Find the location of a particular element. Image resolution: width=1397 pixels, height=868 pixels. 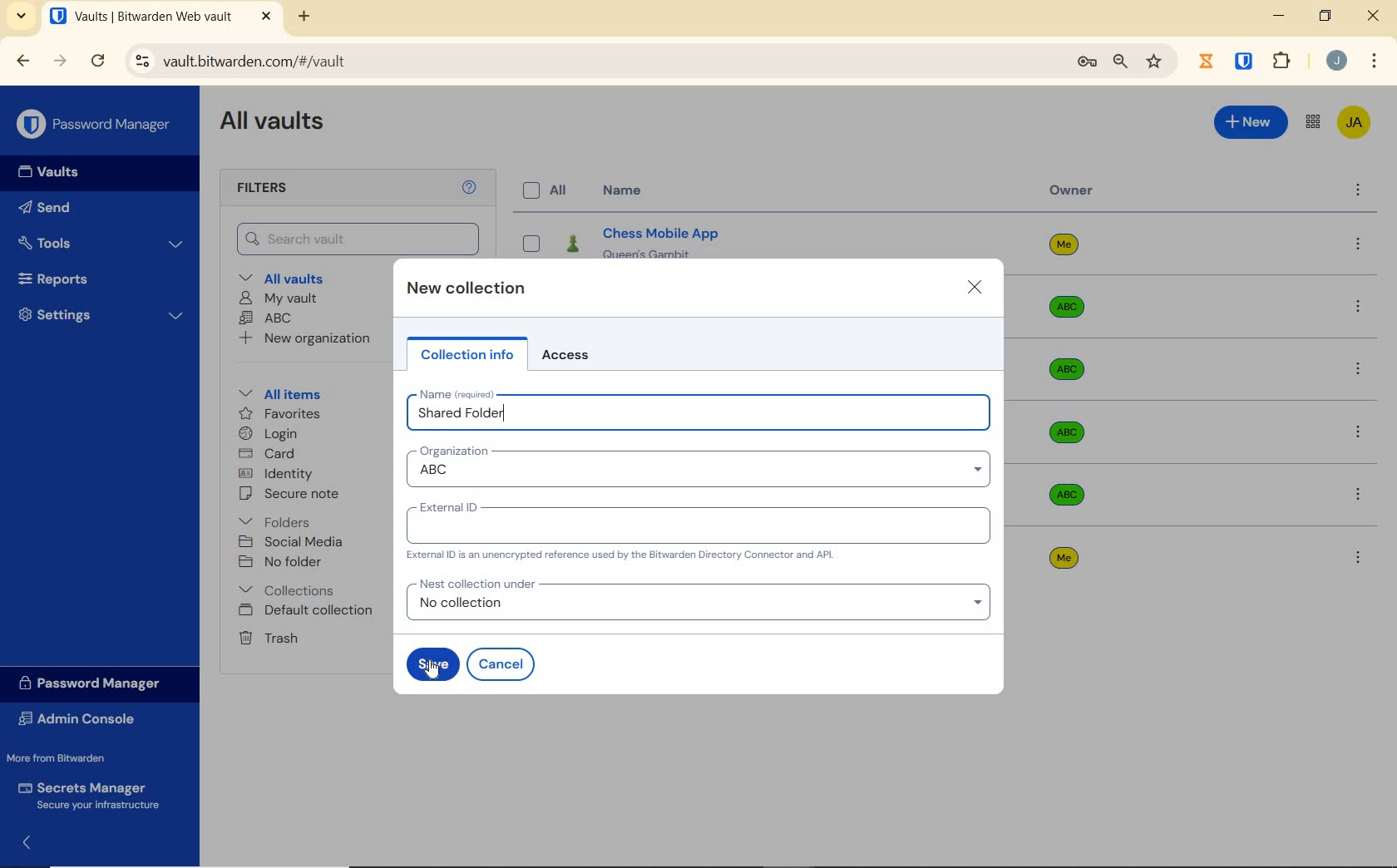

chess mobile app is located at coordinates (765, 238).